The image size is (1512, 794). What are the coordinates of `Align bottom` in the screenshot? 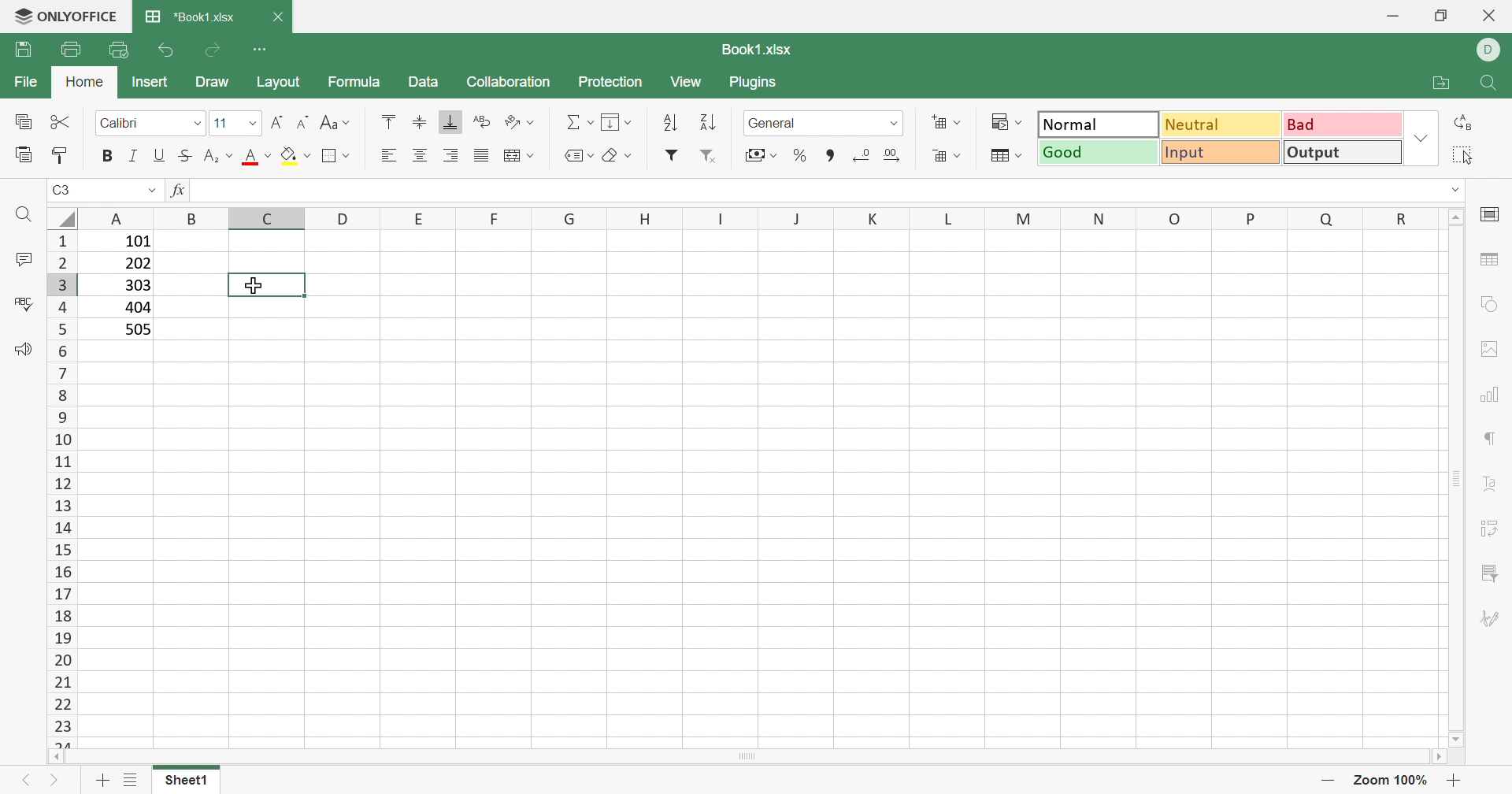 It's located at (450, 124).